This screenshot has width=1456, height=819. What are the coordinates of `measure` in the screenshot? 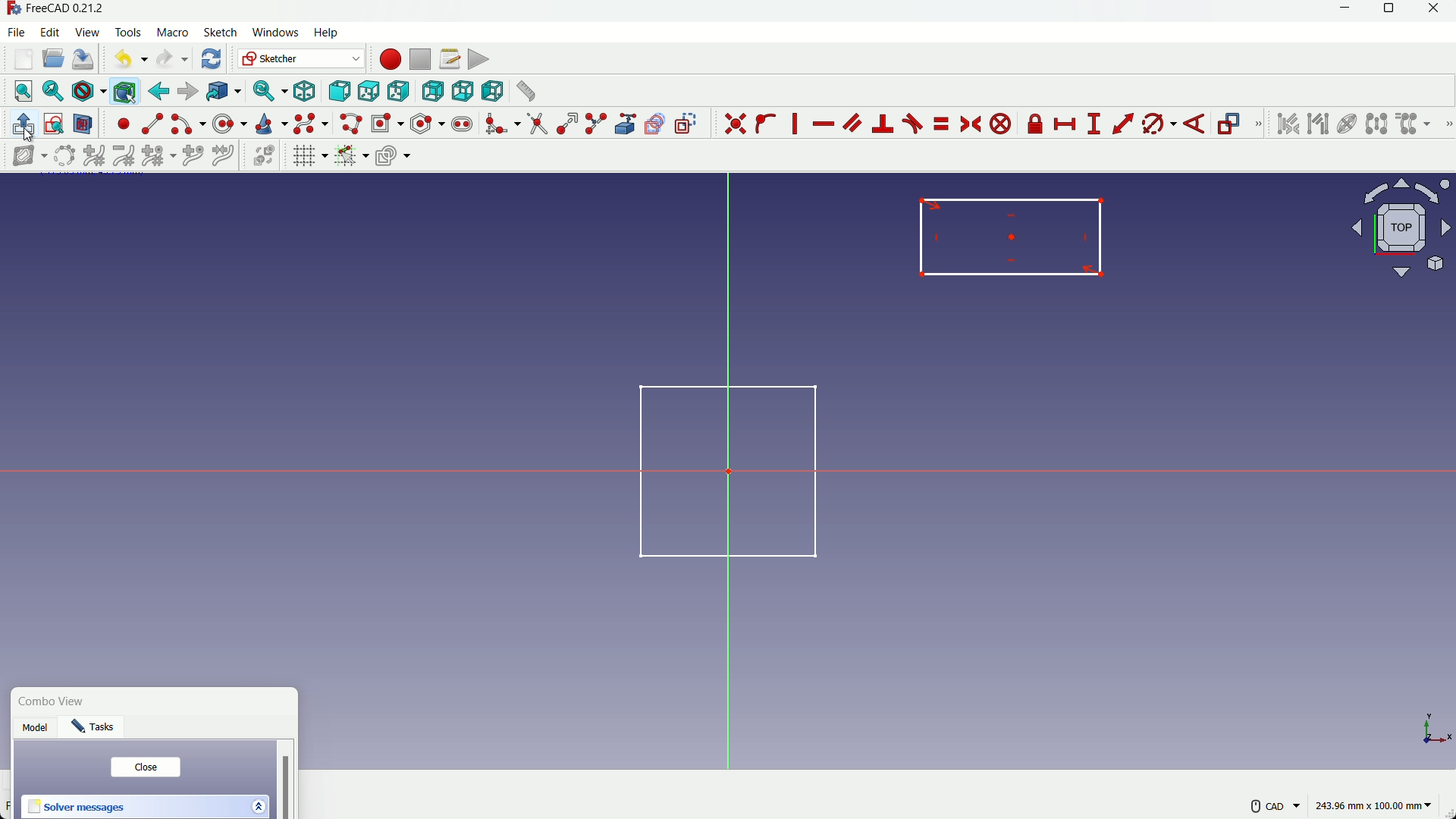 It's located at (525, 91).